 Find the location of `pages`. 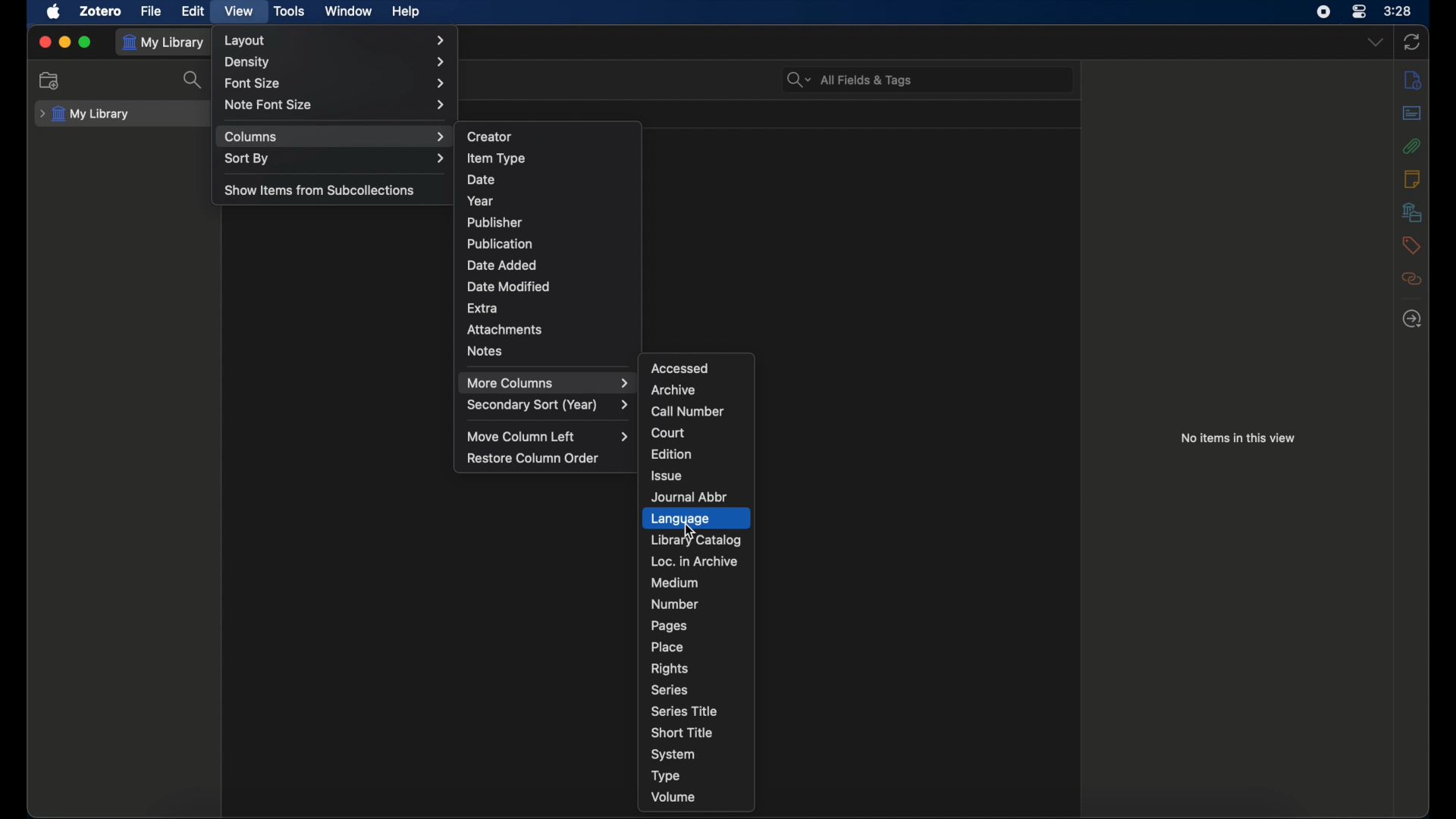

pages is located at coordinates (670, 626).